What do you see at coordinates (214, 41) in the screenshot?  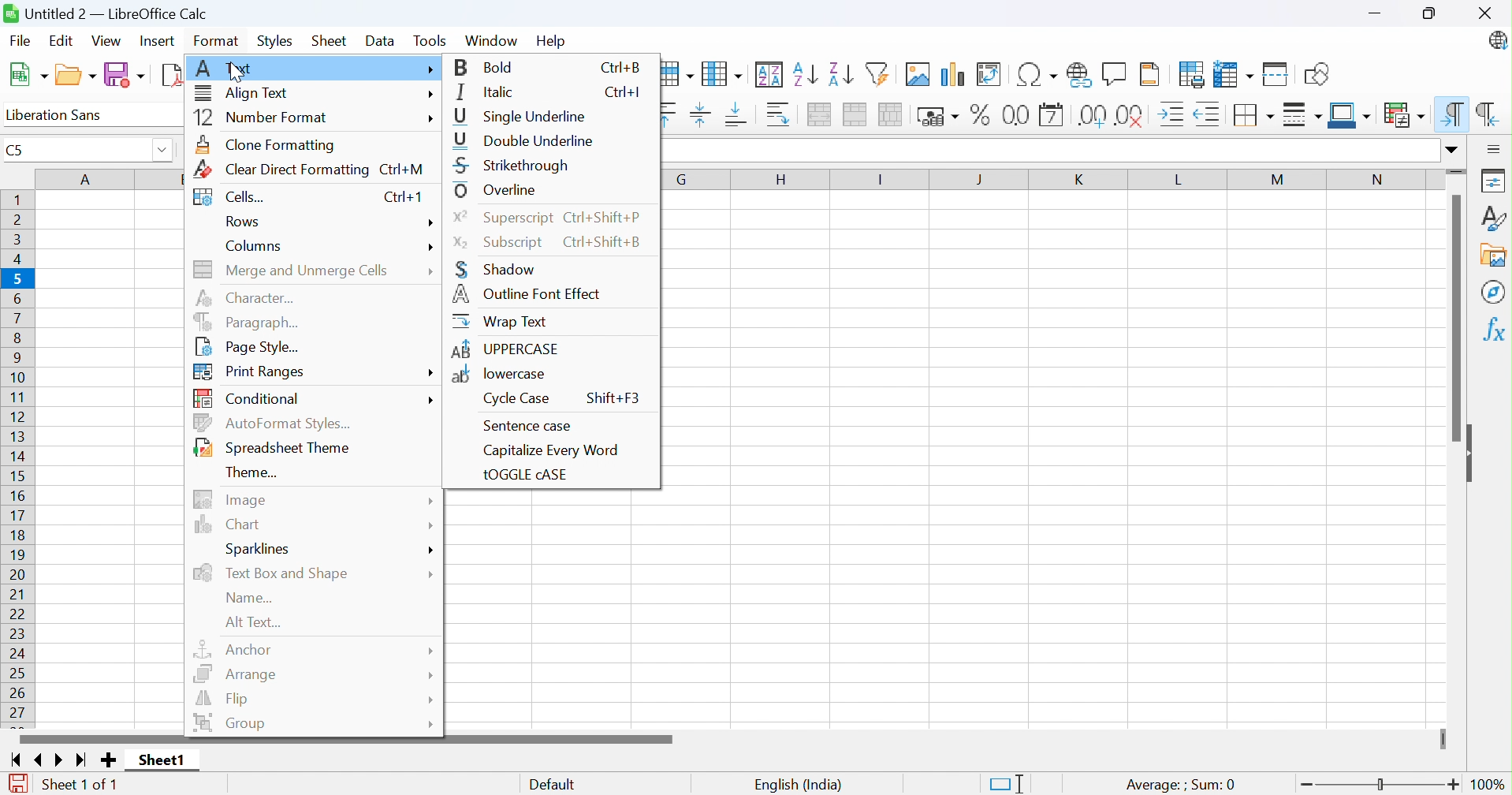 I see `Format` at bounding box center [214, 41].